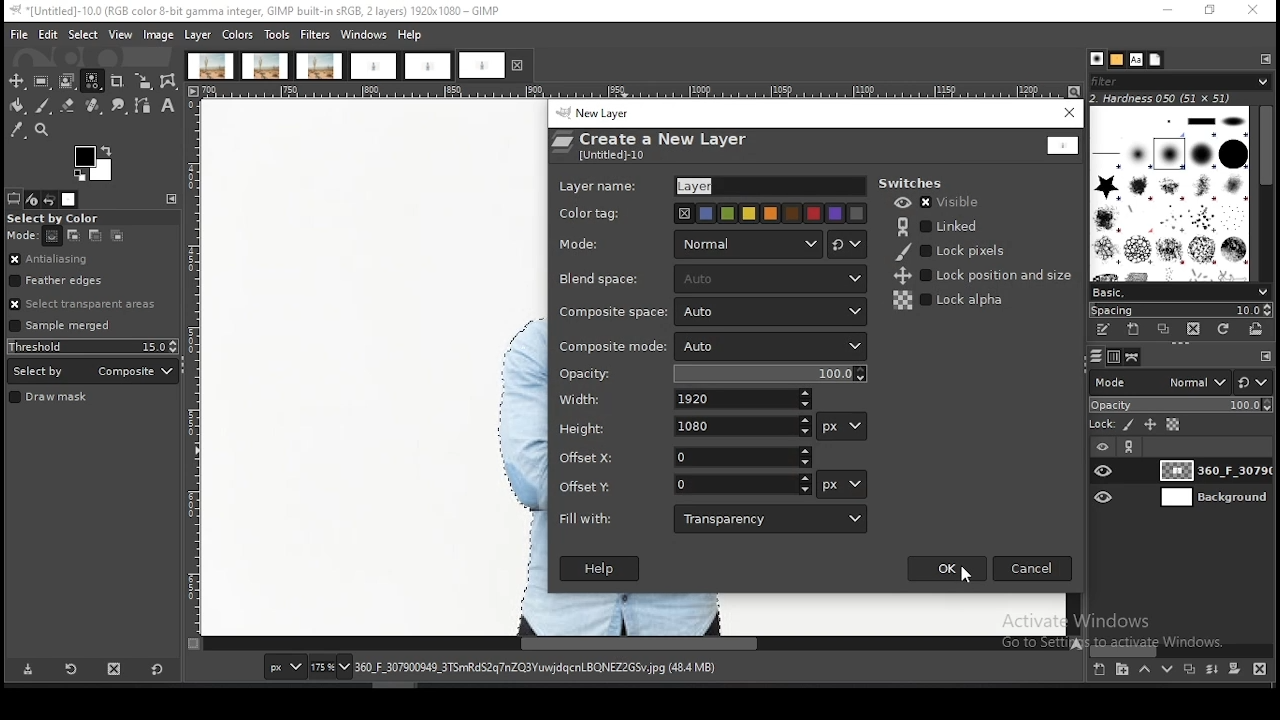  What do you see at coordinates (1069, 113) in the screenshot?
I see `close window` at bounding box center [1069, 113].